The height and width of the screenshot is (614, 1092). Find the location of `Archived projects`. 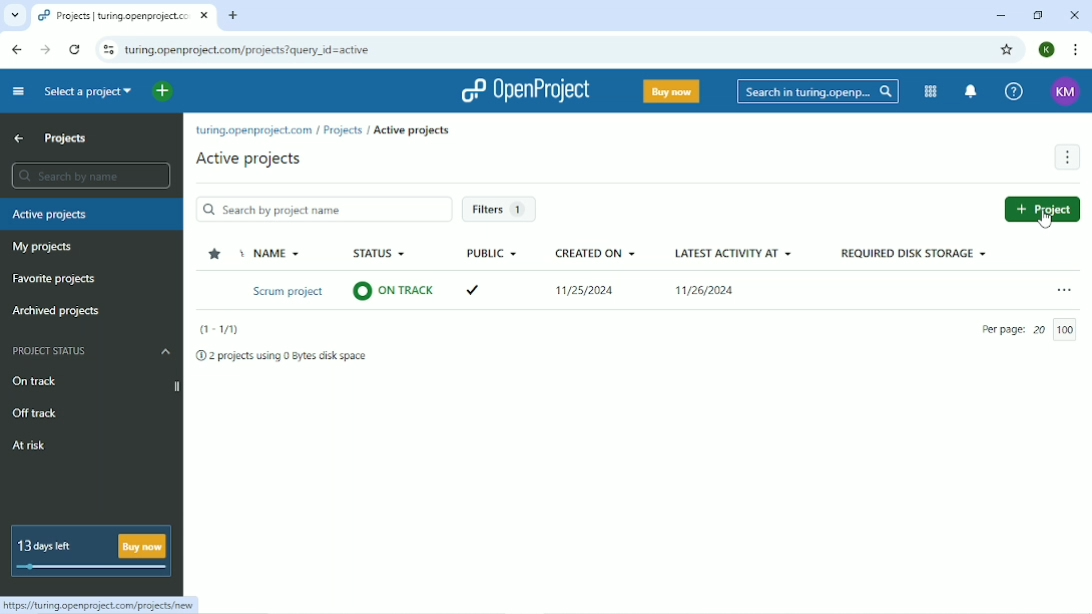

Archived projects is located at coordinates (61, 313).